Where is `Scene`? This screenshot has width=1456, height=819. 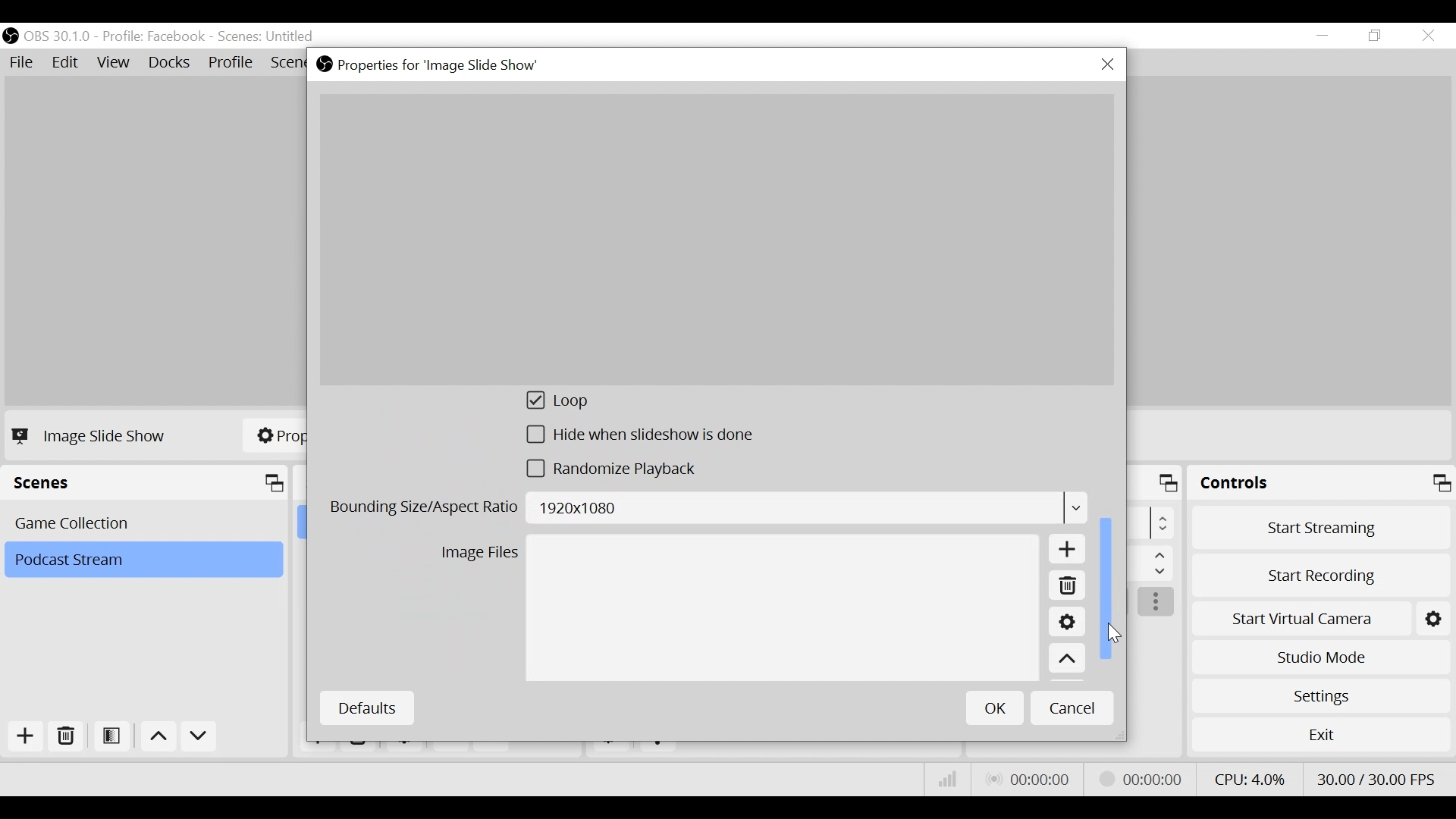 Scene is located at coordinates (146, 522).